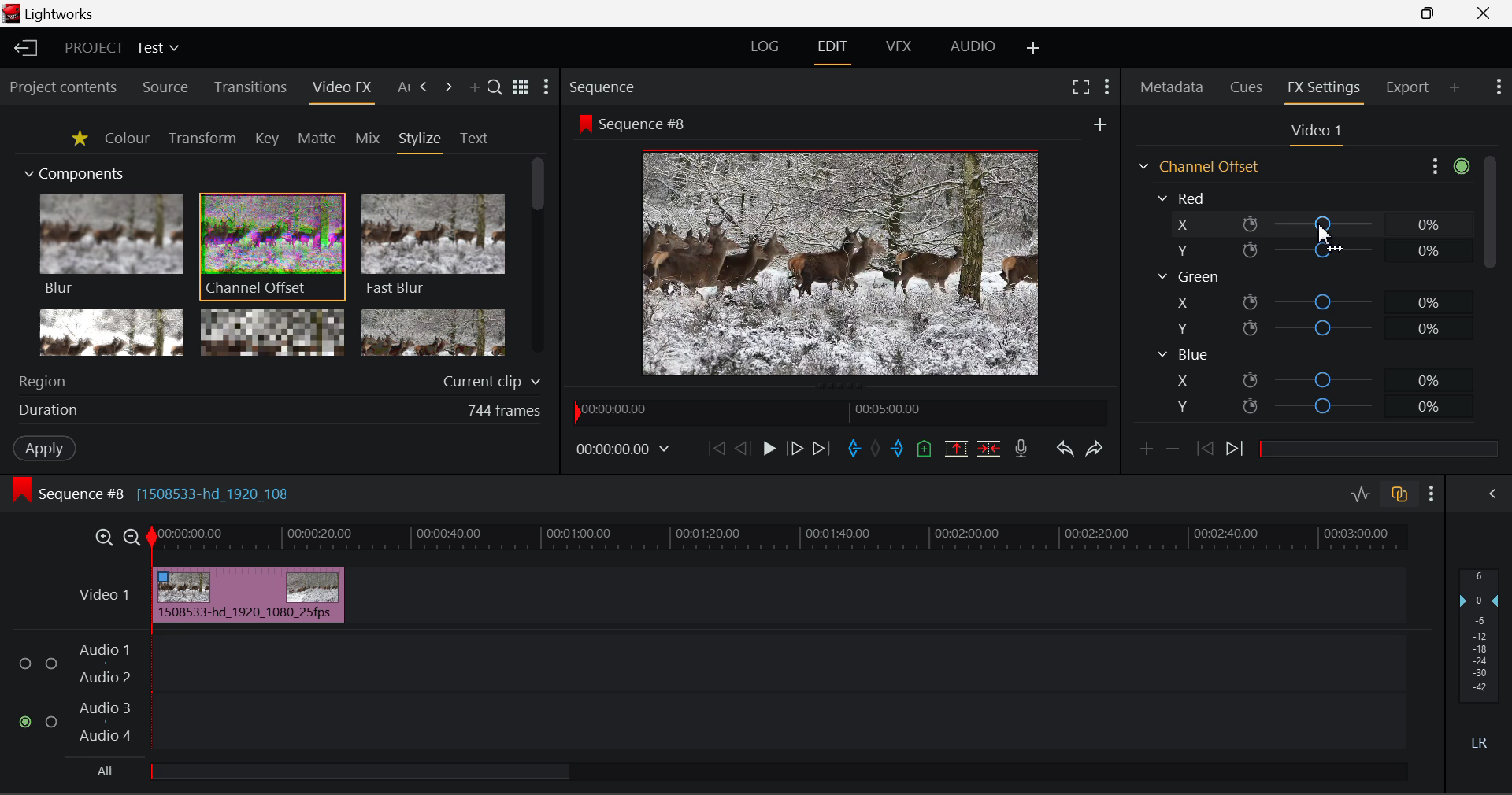 The height and width of the screenshot is (795, 1512). Describe the element at coordinates (795, 450) in the screenshot. I see `Go Forward` at that location.